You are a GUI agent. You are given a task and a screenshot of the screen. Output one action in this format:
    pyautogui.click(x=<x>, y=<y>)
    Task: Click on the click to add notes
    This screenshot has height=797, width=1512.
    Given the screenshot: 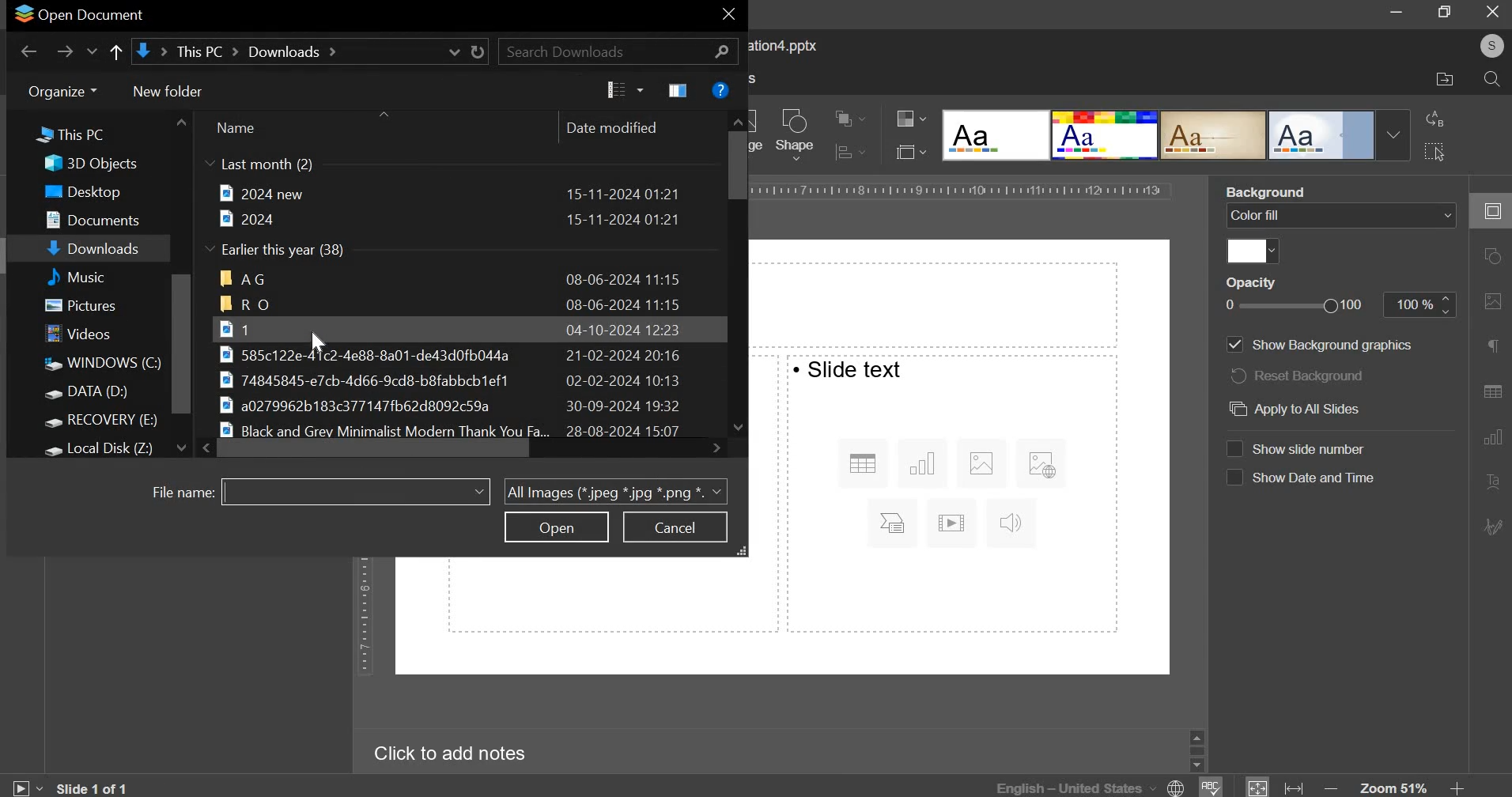 What is the action you would take?
    pyautogui.click(x=443, y=754)
    